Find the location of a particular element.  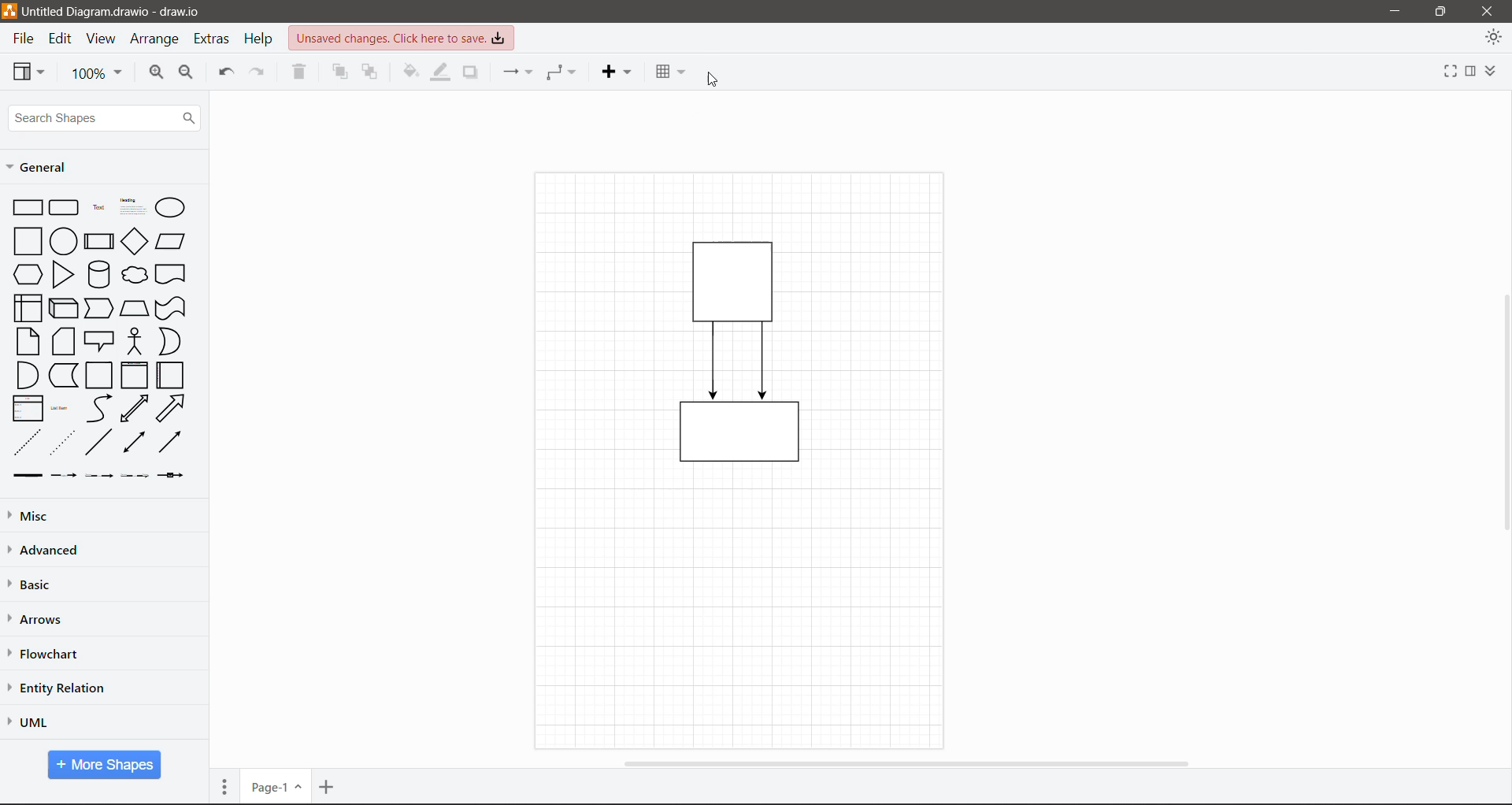

Zoom In is located at coordinates (154, 74).